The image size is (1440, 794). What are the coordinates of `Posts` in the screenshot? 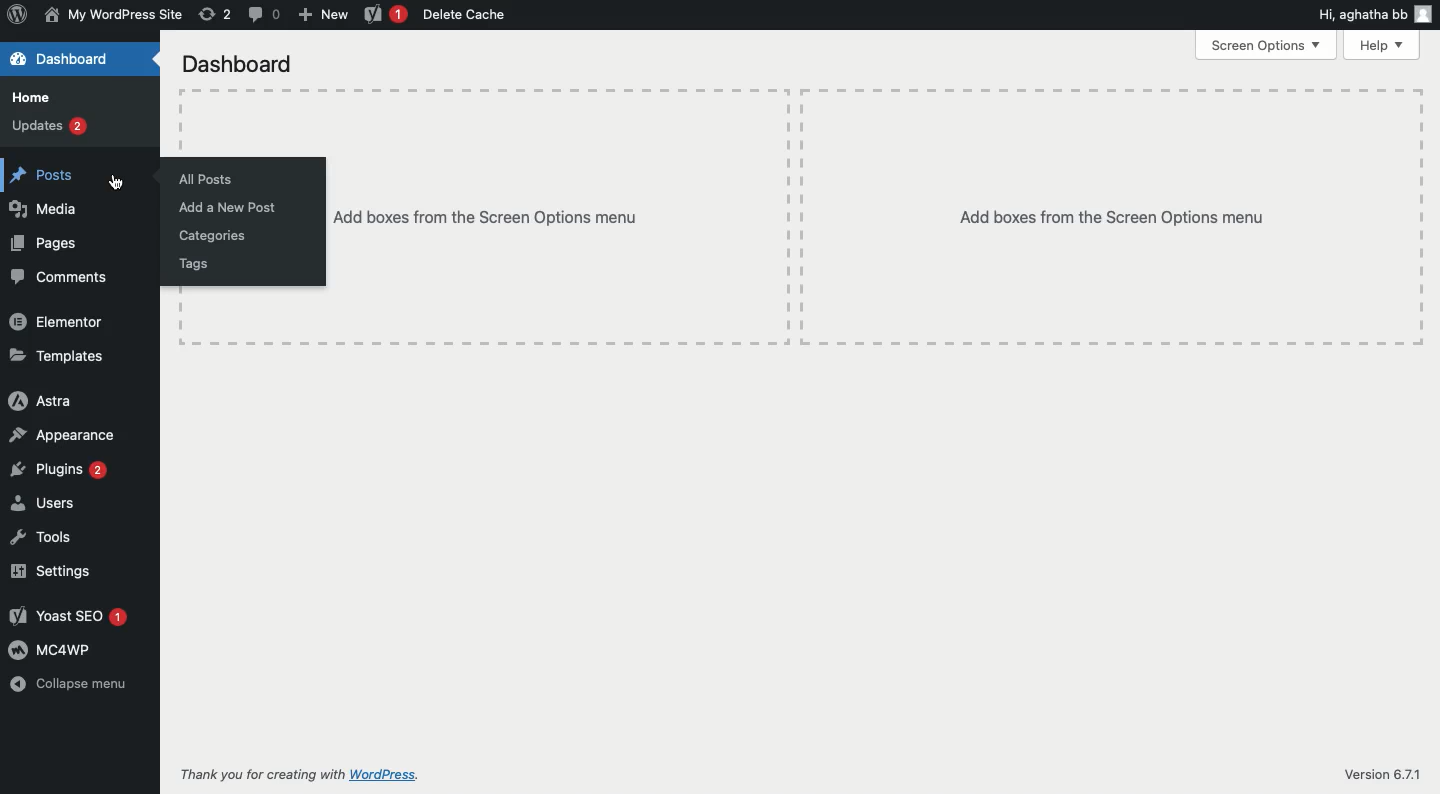 It's located at (44, 175).